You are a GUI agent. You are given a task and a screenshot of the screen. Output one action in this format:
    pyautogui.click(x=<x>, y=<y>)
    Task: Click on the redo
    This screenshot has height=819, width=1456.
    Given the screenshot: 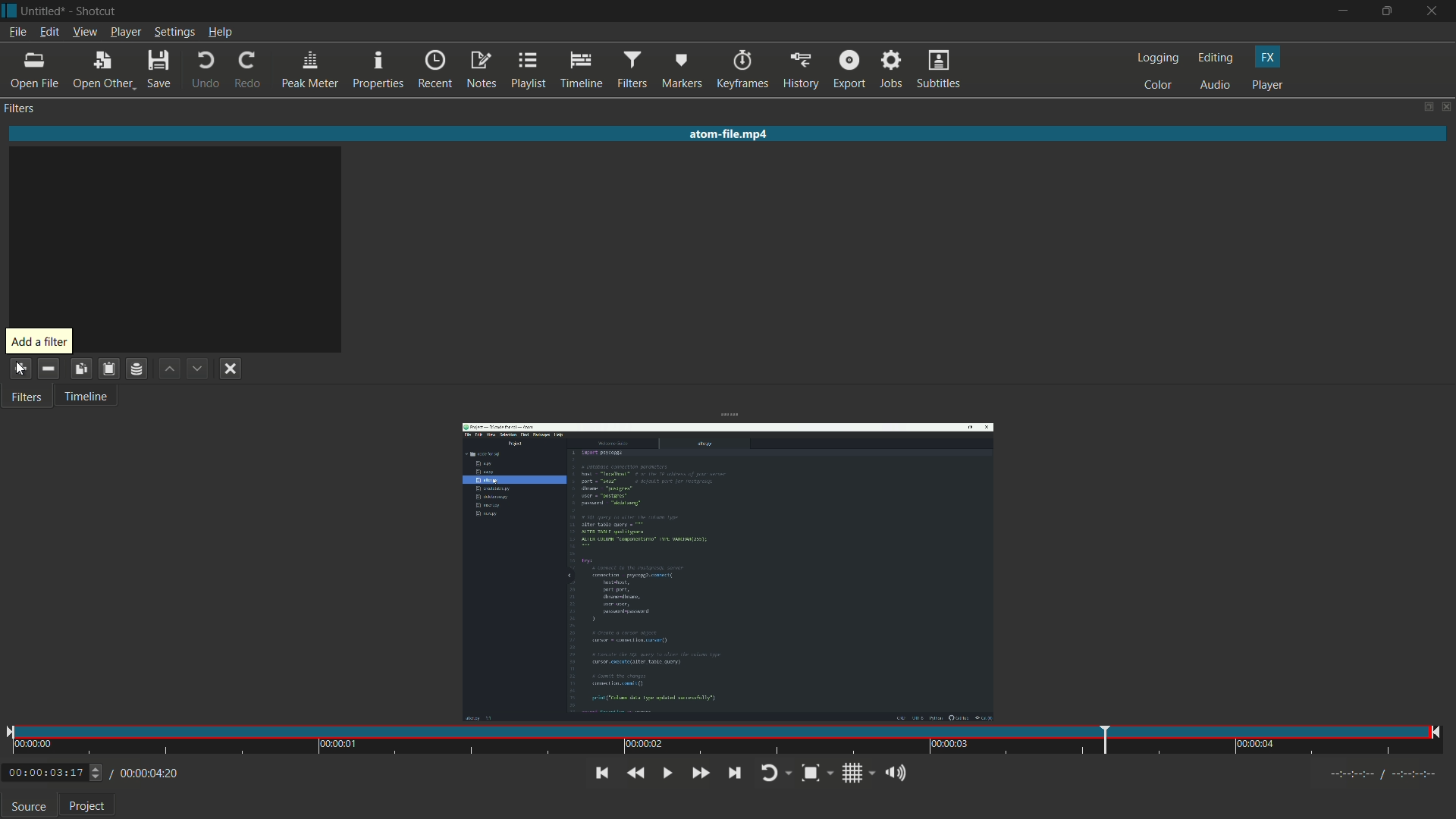 What is the action you would take?
    pyautogui.click(x=248, y=71)
    